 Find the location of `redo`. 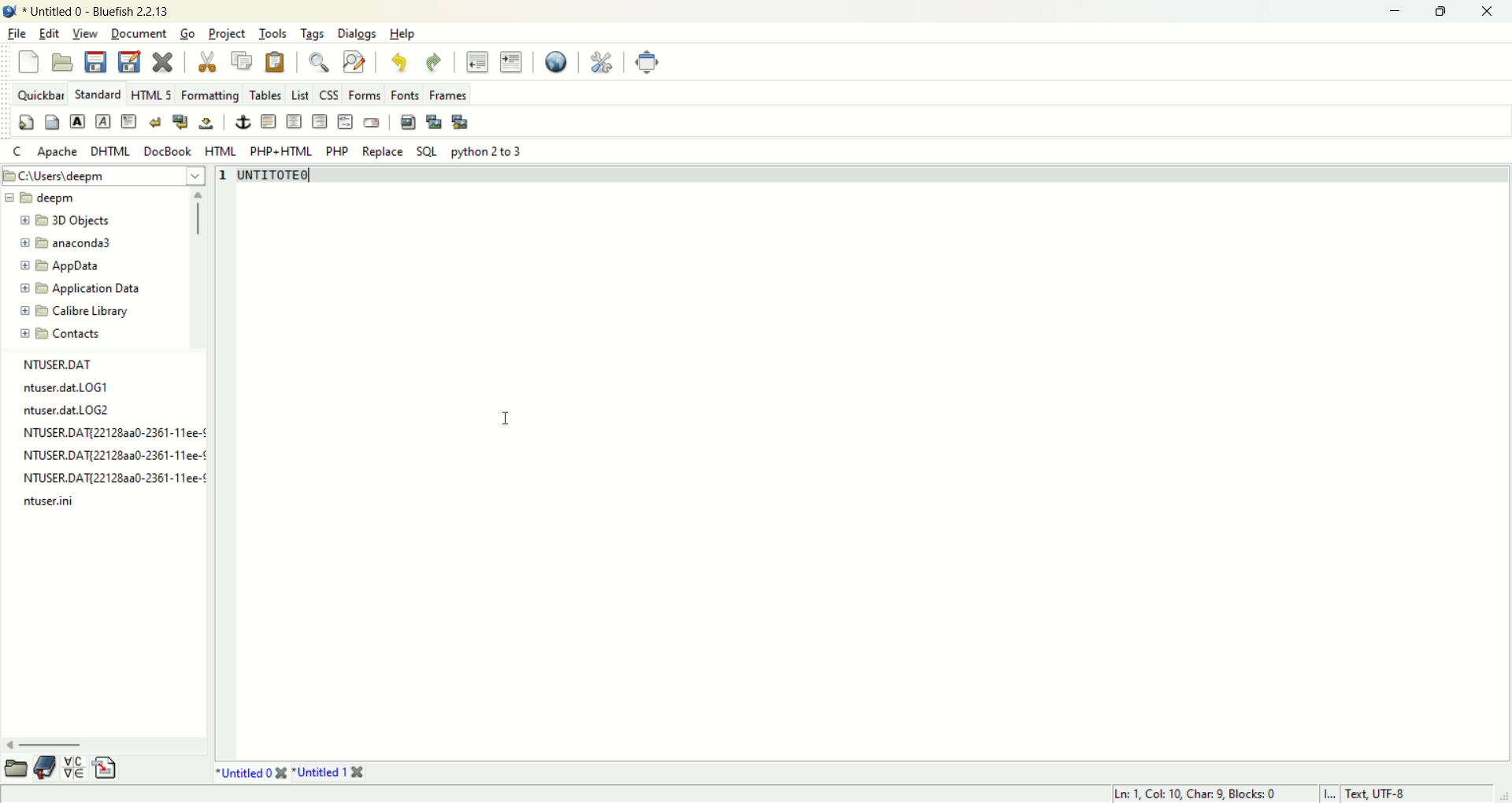

redo is located at coordinates (434, 61).